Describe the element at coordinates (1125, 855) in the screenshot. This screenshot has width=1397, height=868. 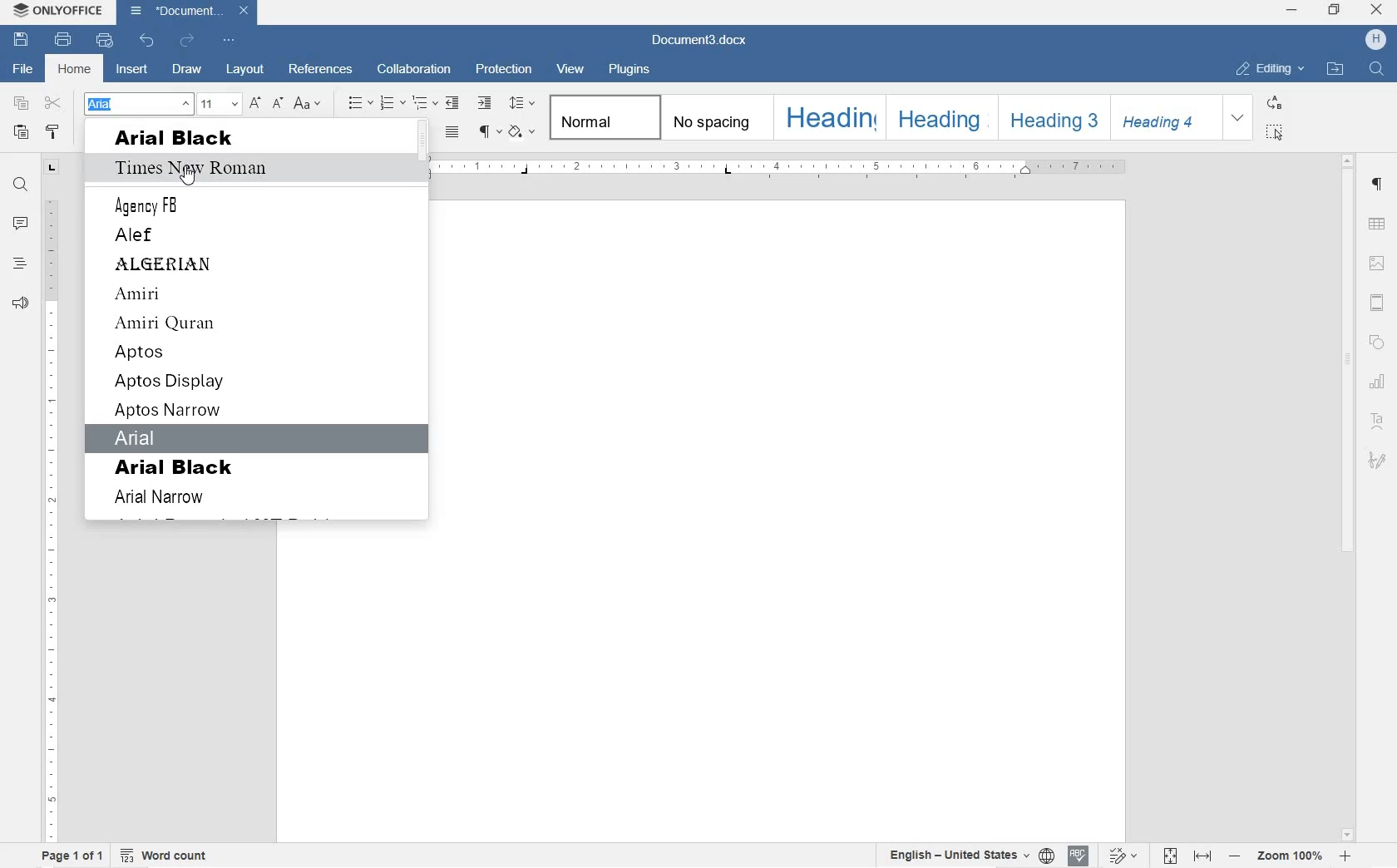
I see `TRACK CHANGES` at that location.